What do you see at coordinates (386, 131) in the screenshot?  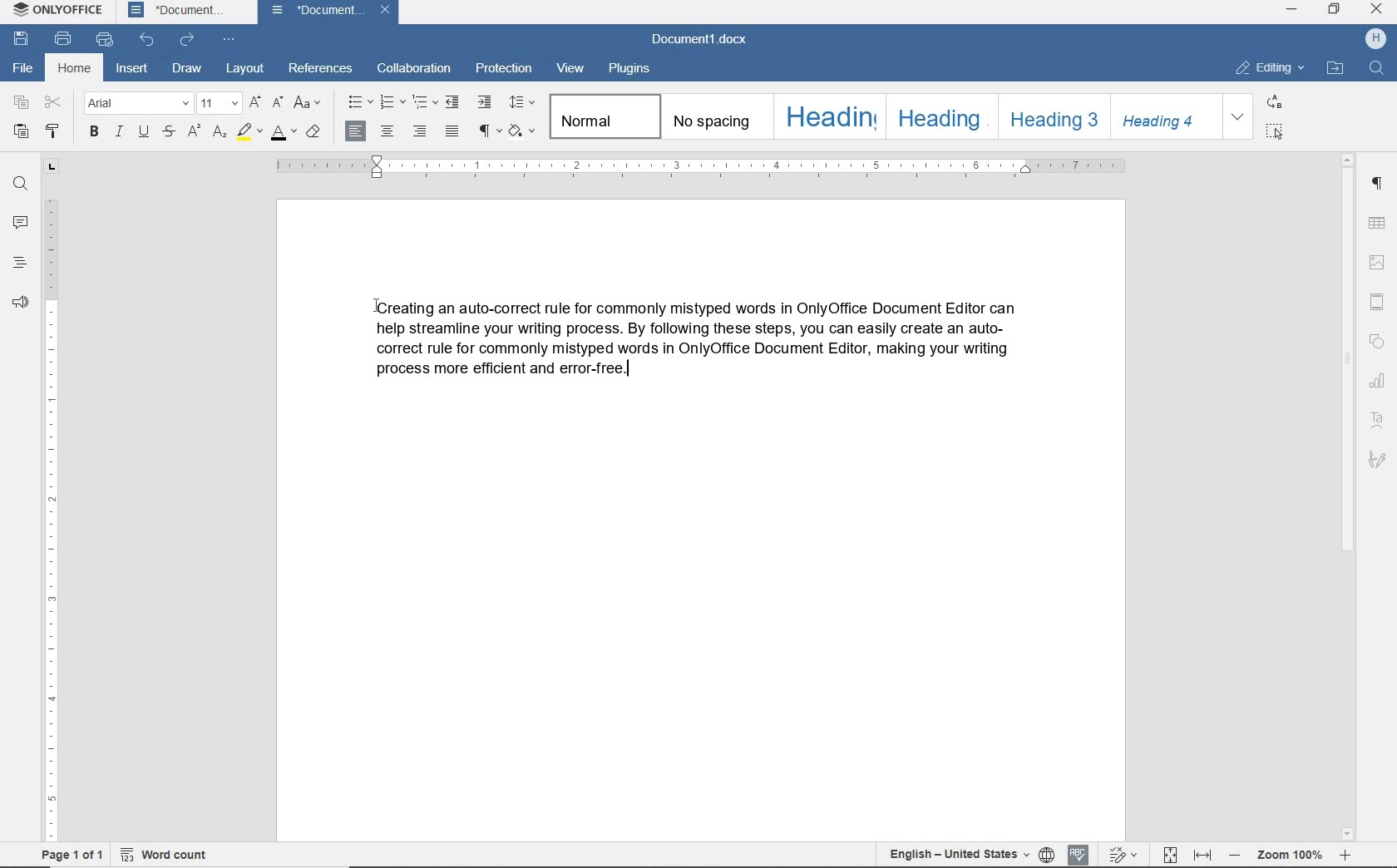 I see `align center` at bounding box center [386, 131].